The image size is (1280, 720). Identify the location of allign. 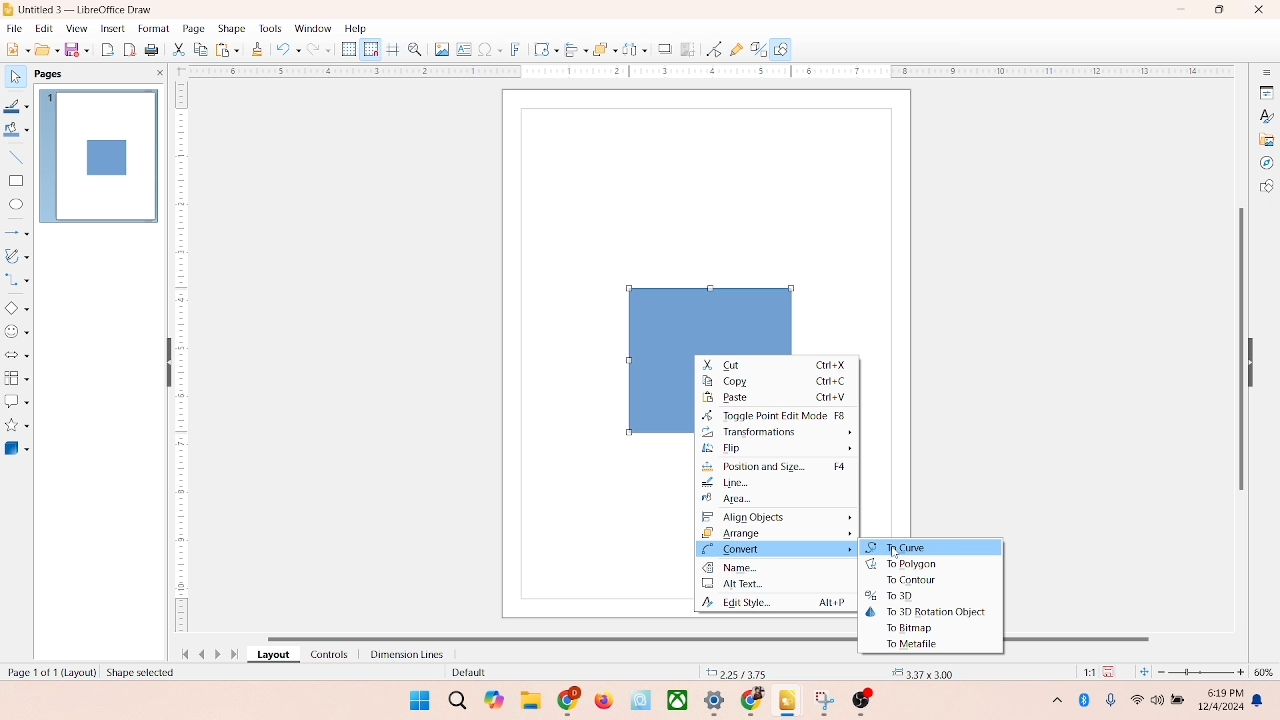
(572, 47).